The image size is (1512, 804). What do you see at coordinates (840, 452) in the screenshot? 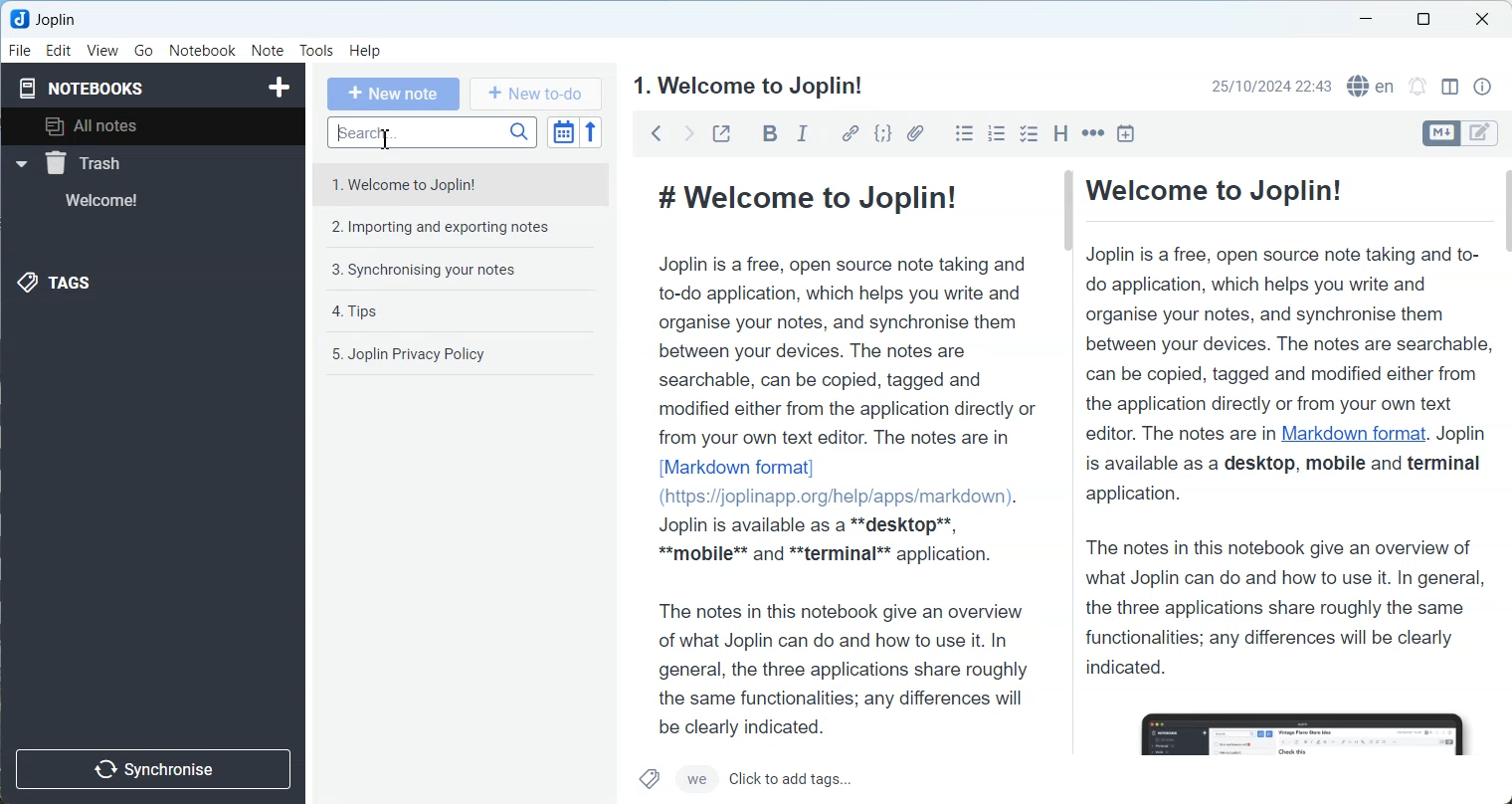
I see `# Welcome to Joplin!

Joplin is a free, open source note taking and
to-do application, which helps you write and
organise your notes, and synchronise them
between your devices. The notes are
searchable, can be copied, tagged and
modified either from the application directly or
from your own text editor. The notes are in
[Markdown format]
(https://joplinapp.org/help/apps/markdown).
Joplin is available as a **desktop**,
**mobile** and **terminal** application.
The notes in this notebook give an overview
of what Joplin can do and how to use it. In
general, the three applications share roughly
the same functionalities; any differences will
be clearly indicated.` at bounding box center [840, 452].